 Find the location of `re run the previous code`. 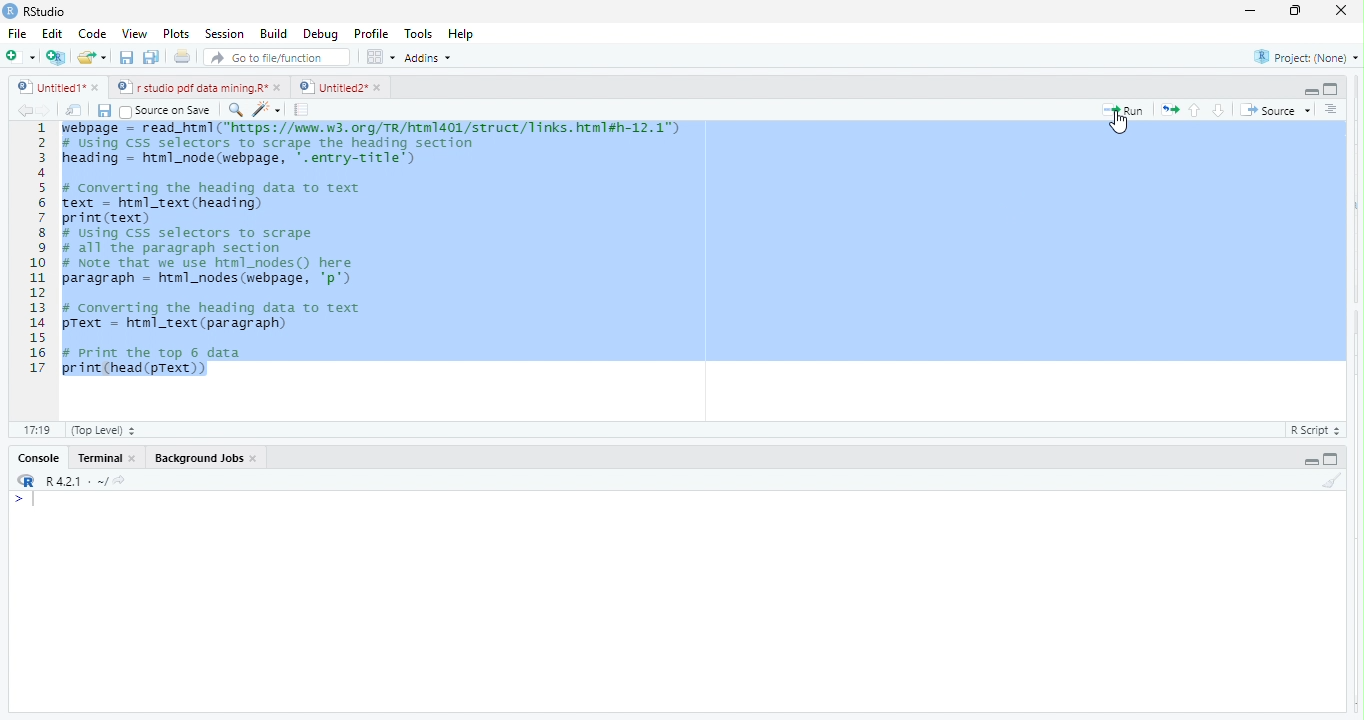

re run the previous code is located at coordinates (1172, 110).